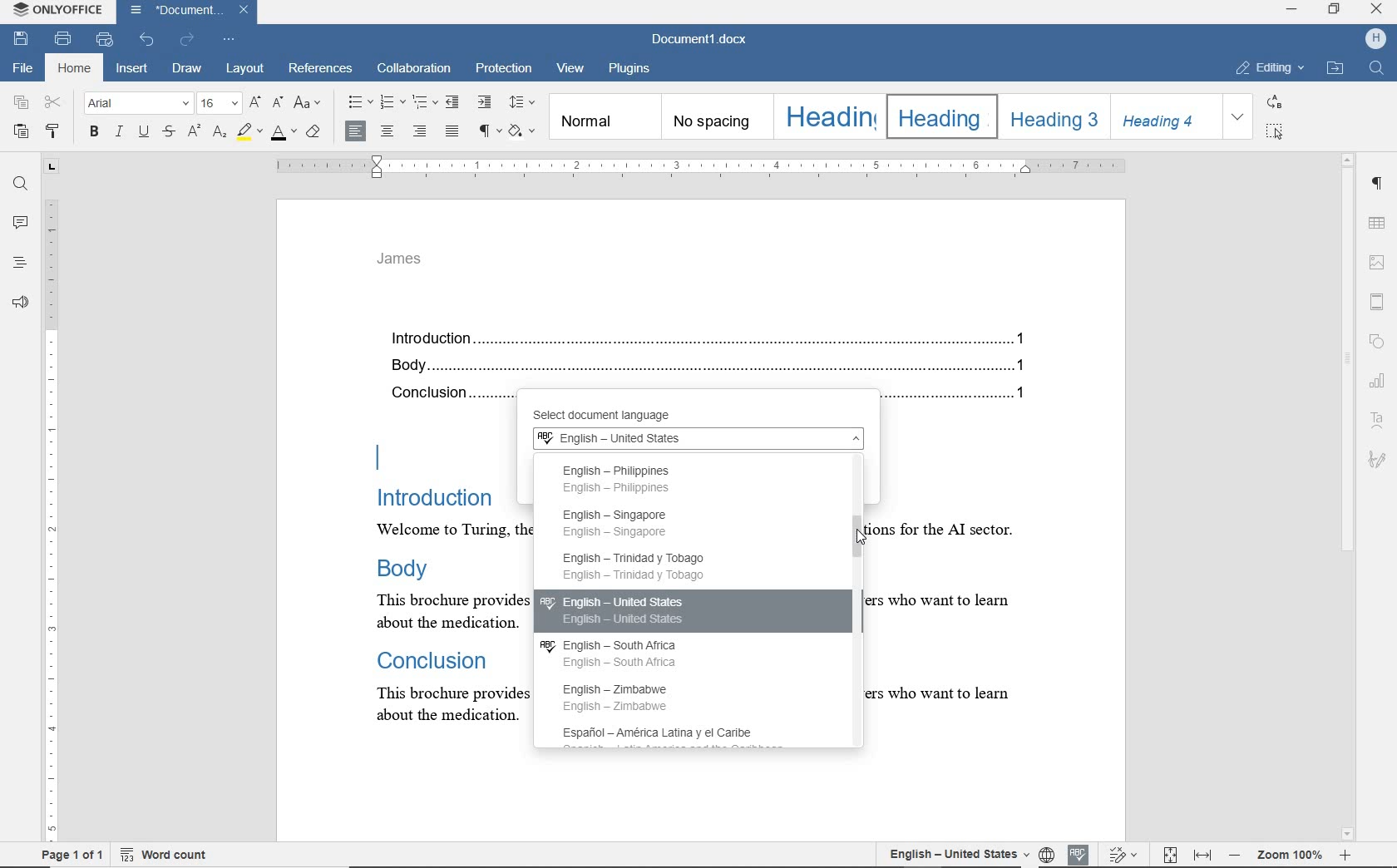 The image size is (1397, 868). Describe the element at coordinates (105, 40) in the screenshot. I see `quick print` at that location.